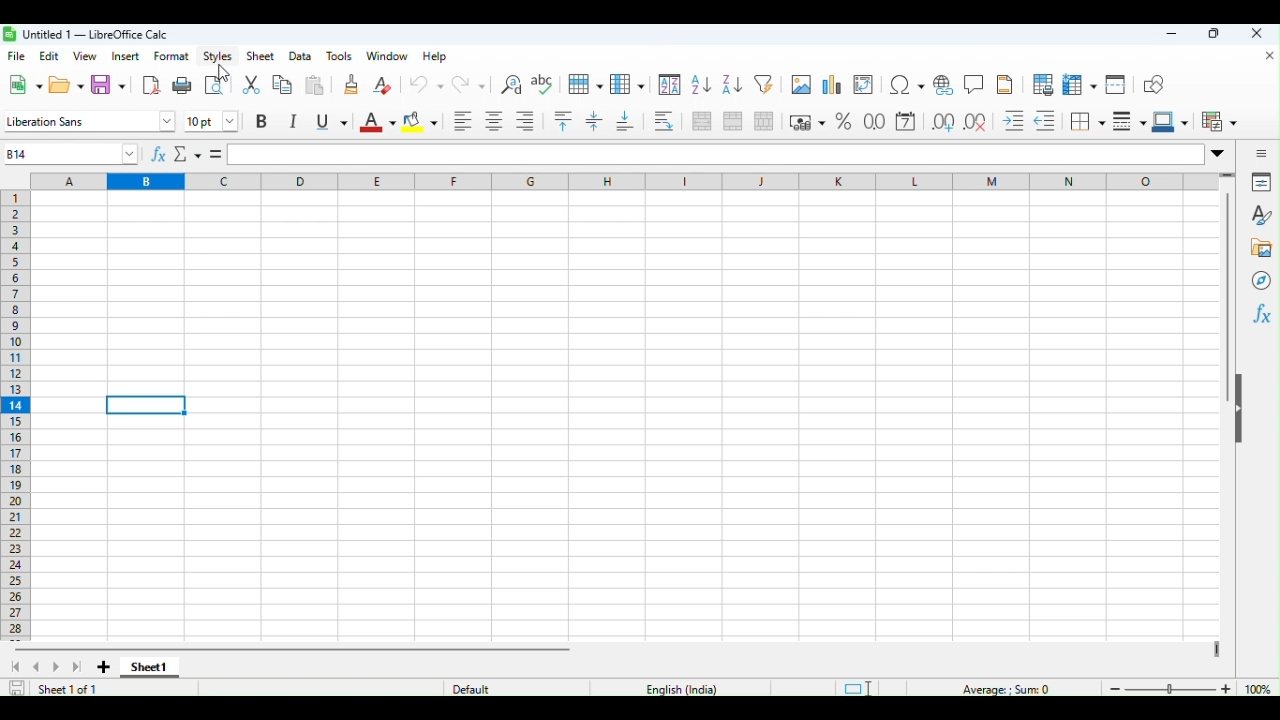 The width and height of the screenshot is (1280, 720). What do you see at coordinates (422, 82) in the screenshot?
I see `undo` at bounding box center [422, 82].